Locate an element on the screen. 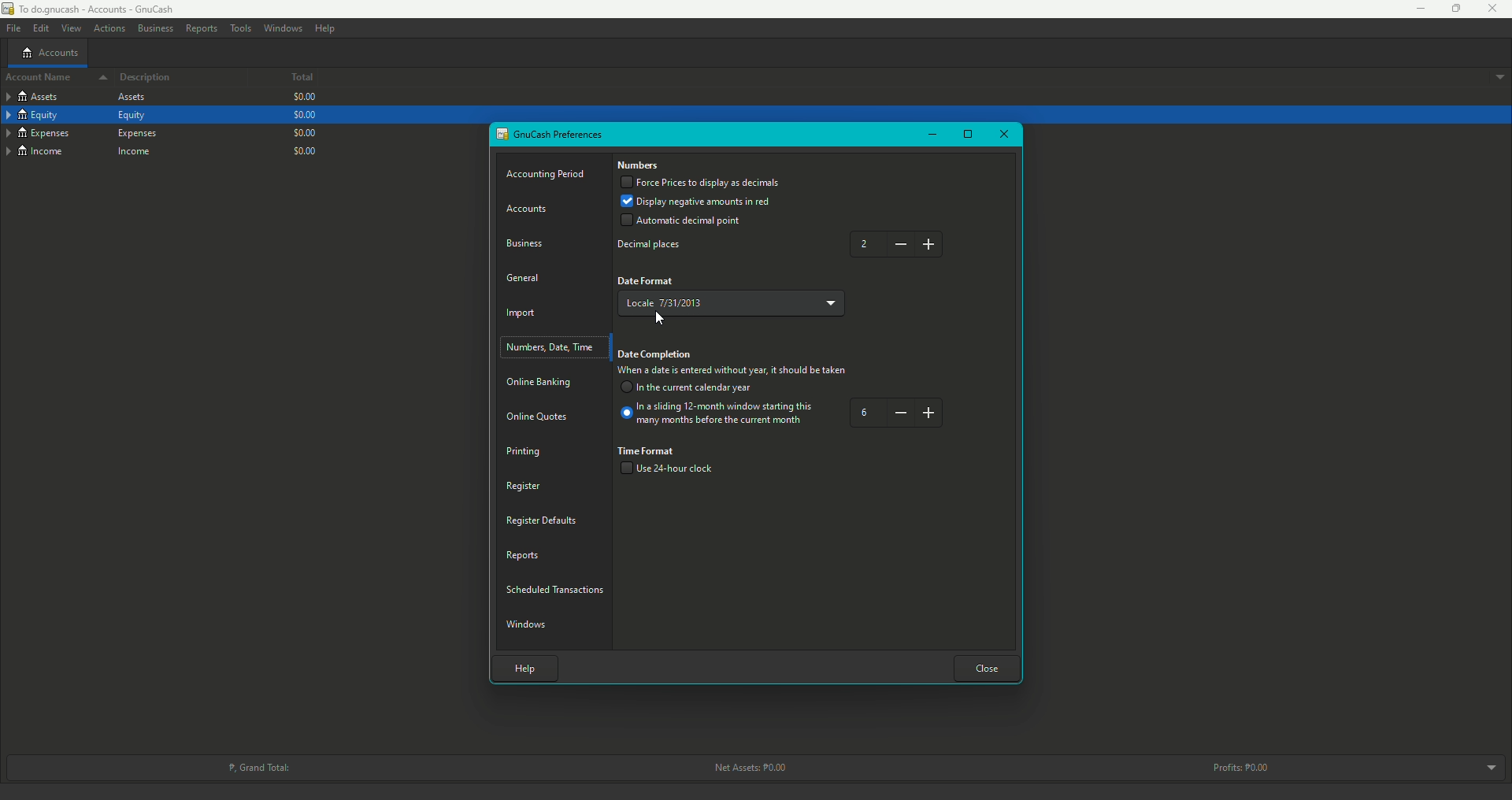 This screenshot has width=1512, height=800. Minimize is located at coordinates (931, 134).